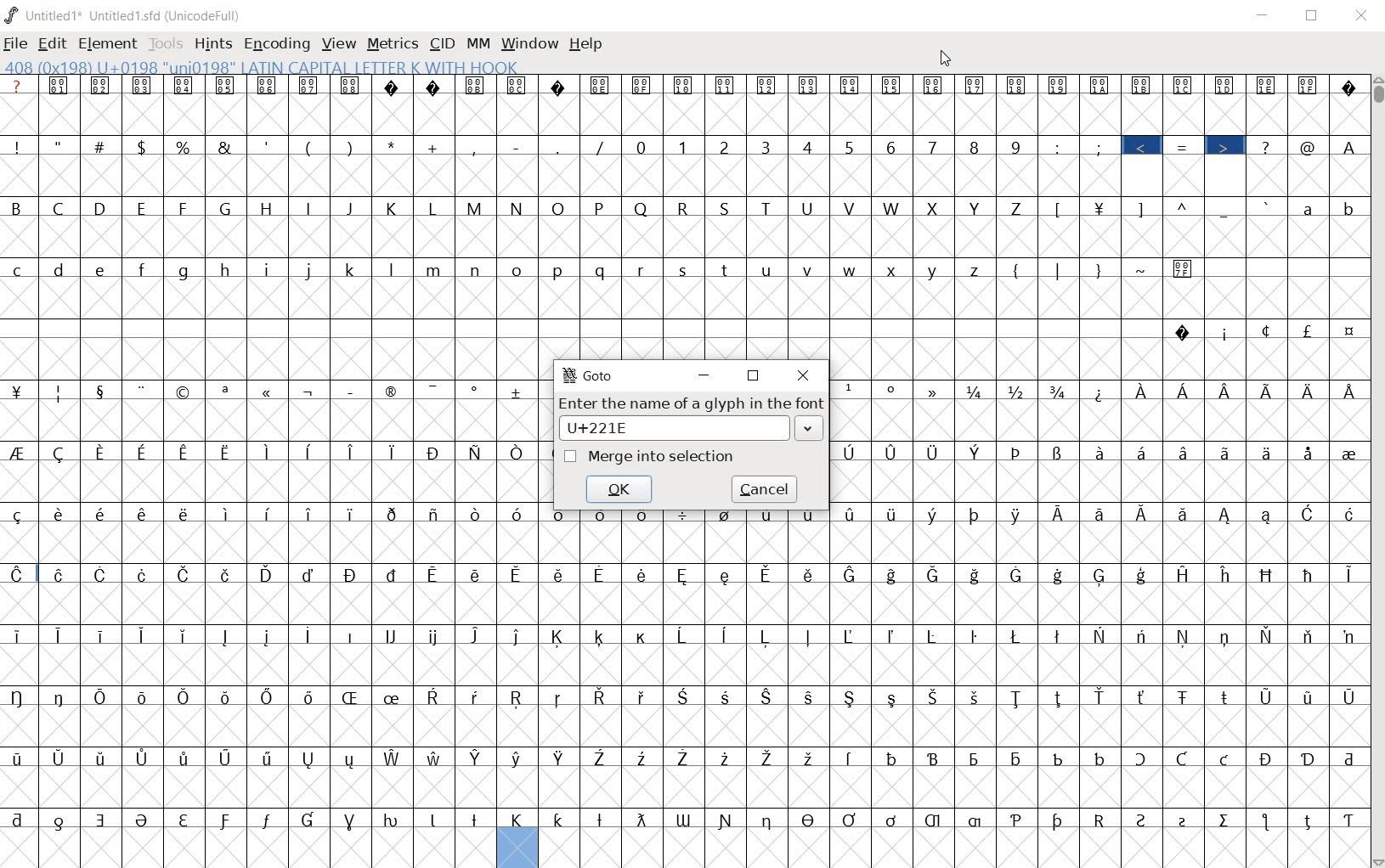 This screenshot has height=868, width=1385. Describe the element at coordinates (809, 431) in the screenshot. I see `drop down arrow` at that location.